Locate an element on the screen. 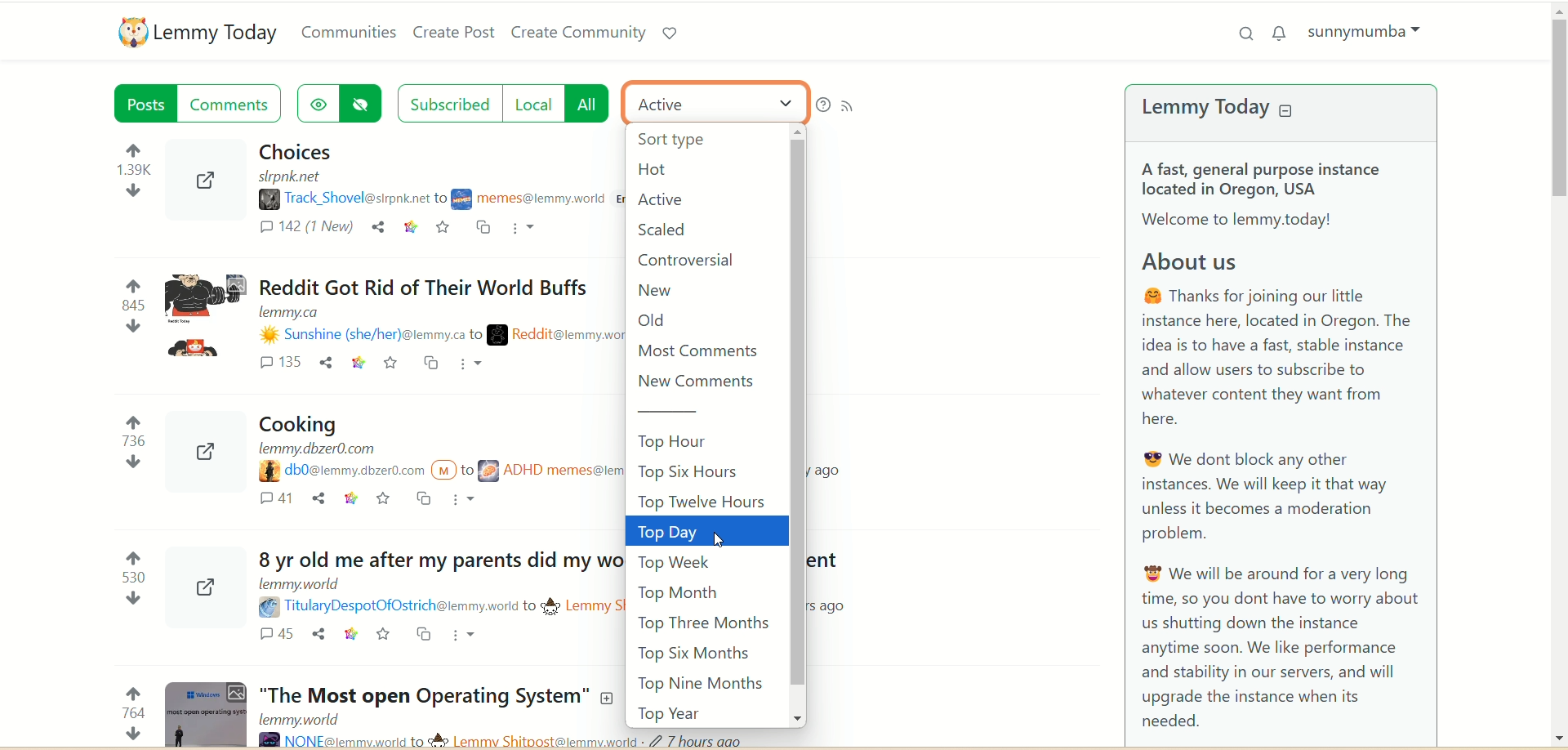  top month is located at coordinates (677, 591).